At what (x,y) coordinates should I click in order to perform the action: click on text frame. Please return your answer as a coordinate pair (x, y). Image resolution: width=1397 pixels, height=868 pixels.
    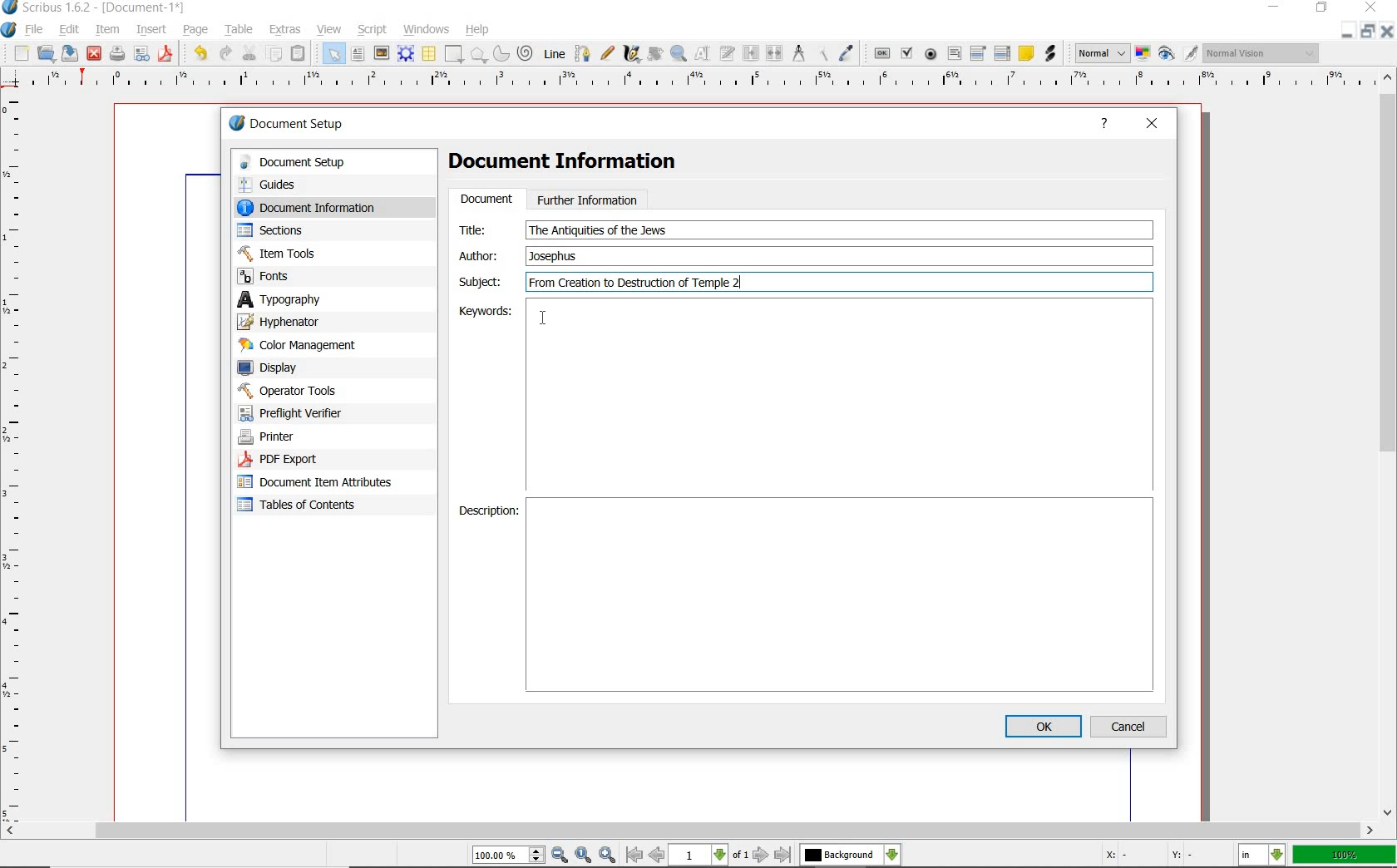
    Looking at the image, I should click on (358, 54).